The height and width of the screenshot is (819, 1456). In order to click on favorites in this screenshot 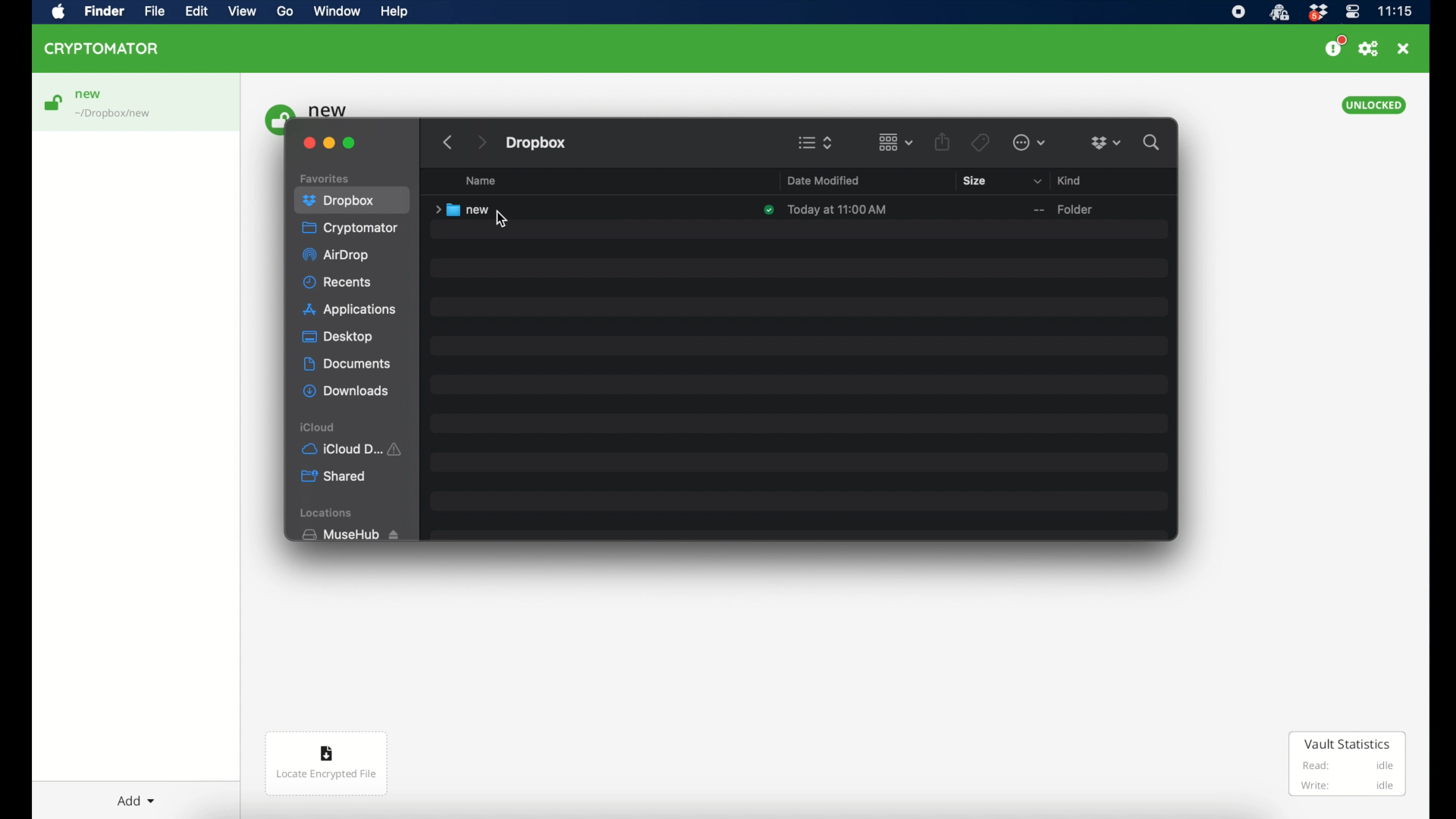, I will do `click(325, 179)`.